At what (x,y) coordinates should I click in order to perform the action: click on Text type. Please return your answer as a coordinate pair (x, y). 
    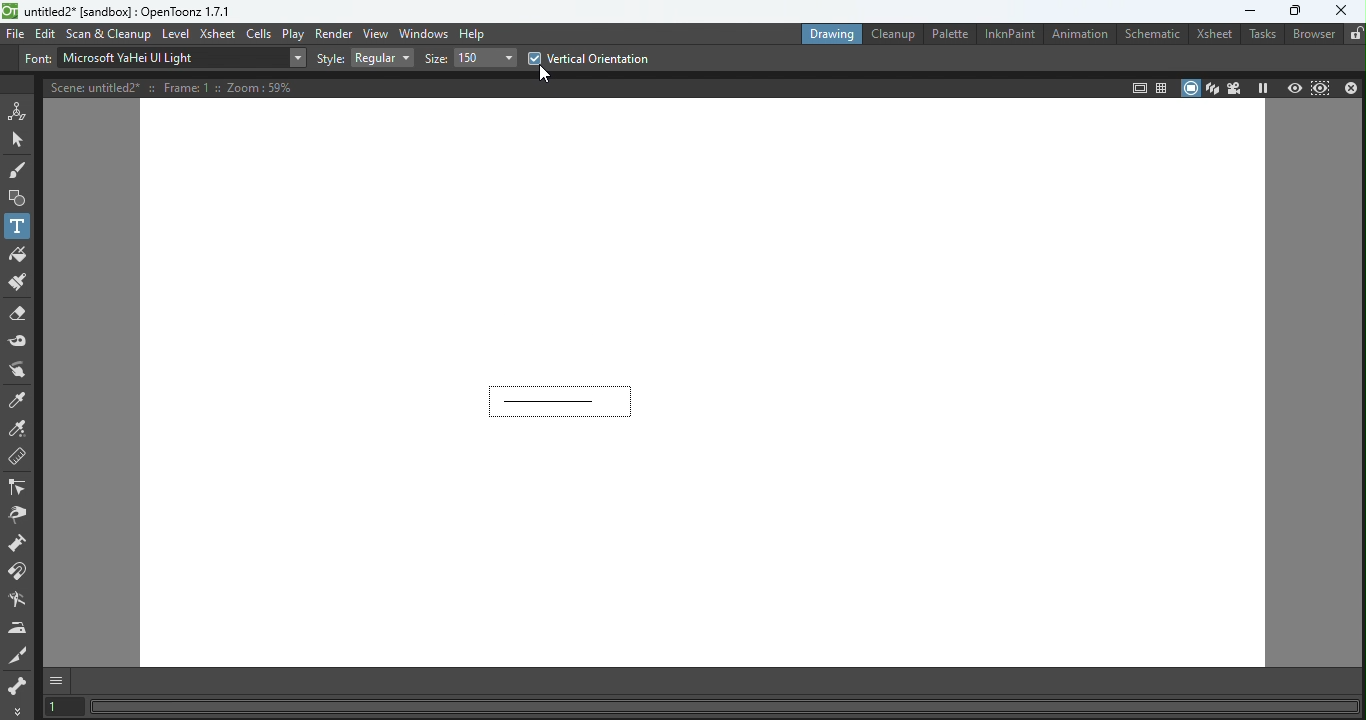
    Looking at the image, I should click on (171, 58).